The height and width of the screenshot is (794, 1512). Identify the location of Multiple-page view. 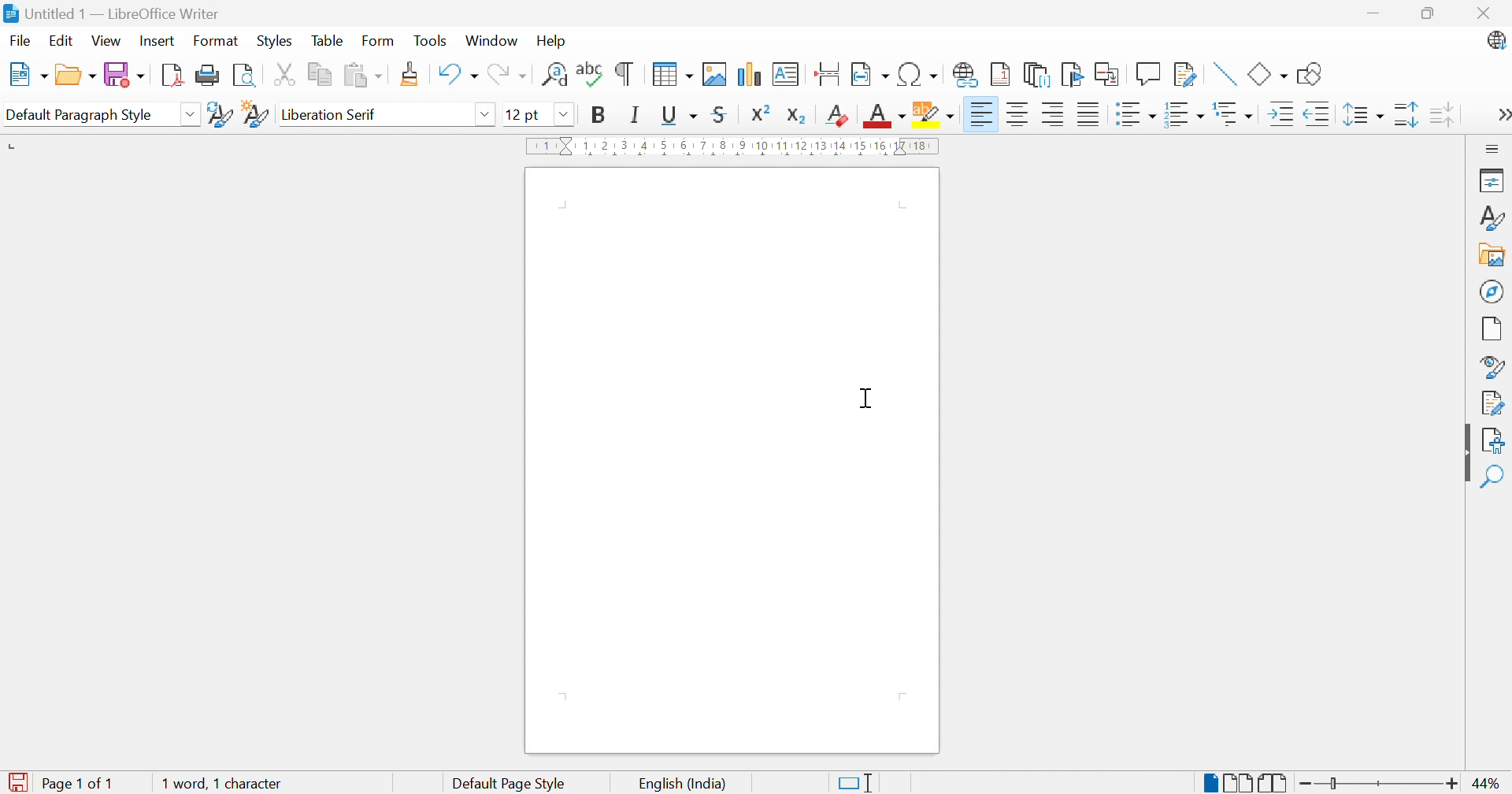
(1238, 784).